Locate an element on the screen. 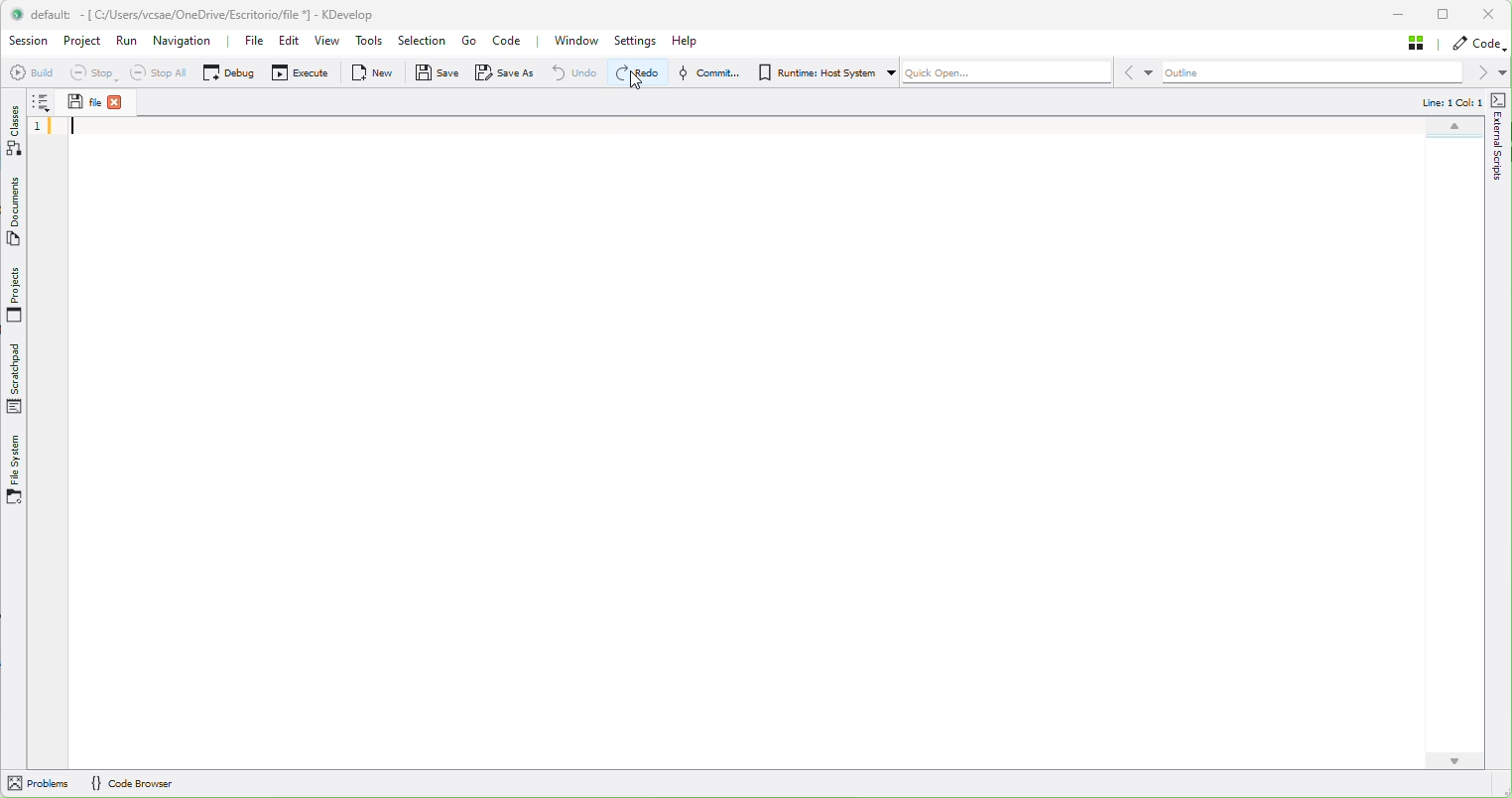 This screenshot has width=1512, height=798. Save is located at coordinates (441, 71).